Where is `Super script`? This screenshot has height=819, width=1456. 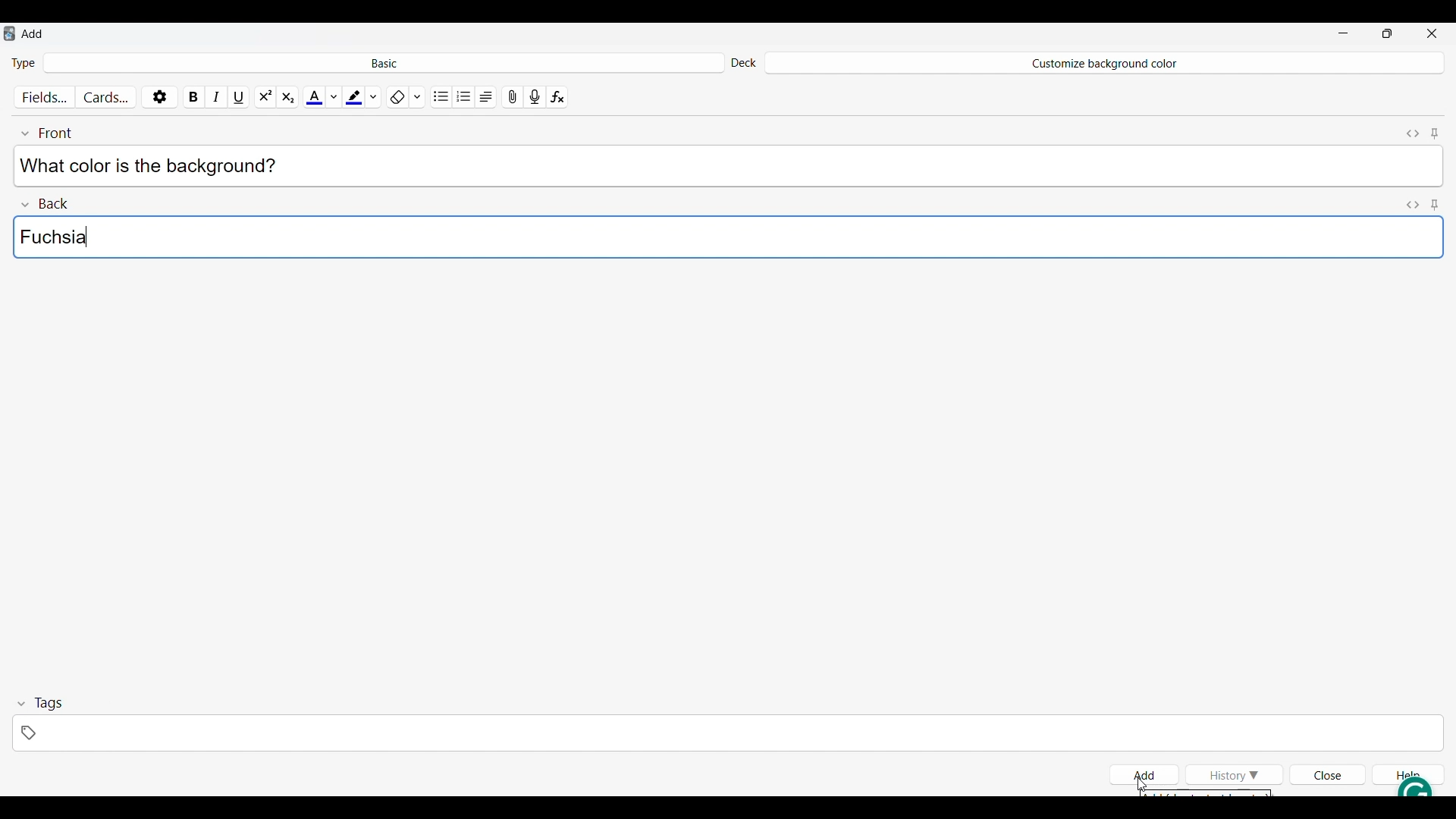
Super script is located at coordinates (265, 95).